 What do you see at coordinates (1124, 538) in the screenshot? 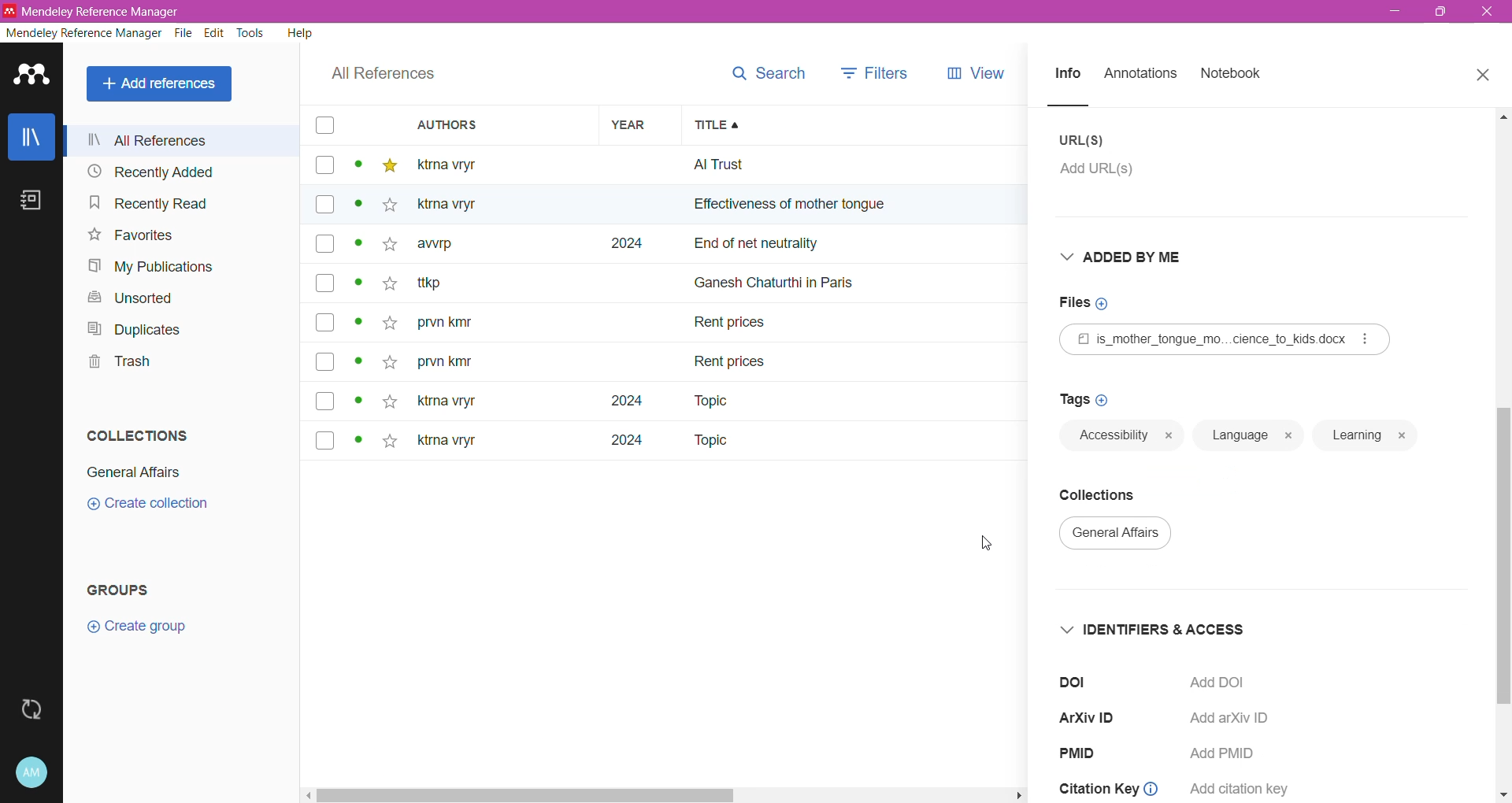
I see `general affairs` at bounding box center [1124, 538].